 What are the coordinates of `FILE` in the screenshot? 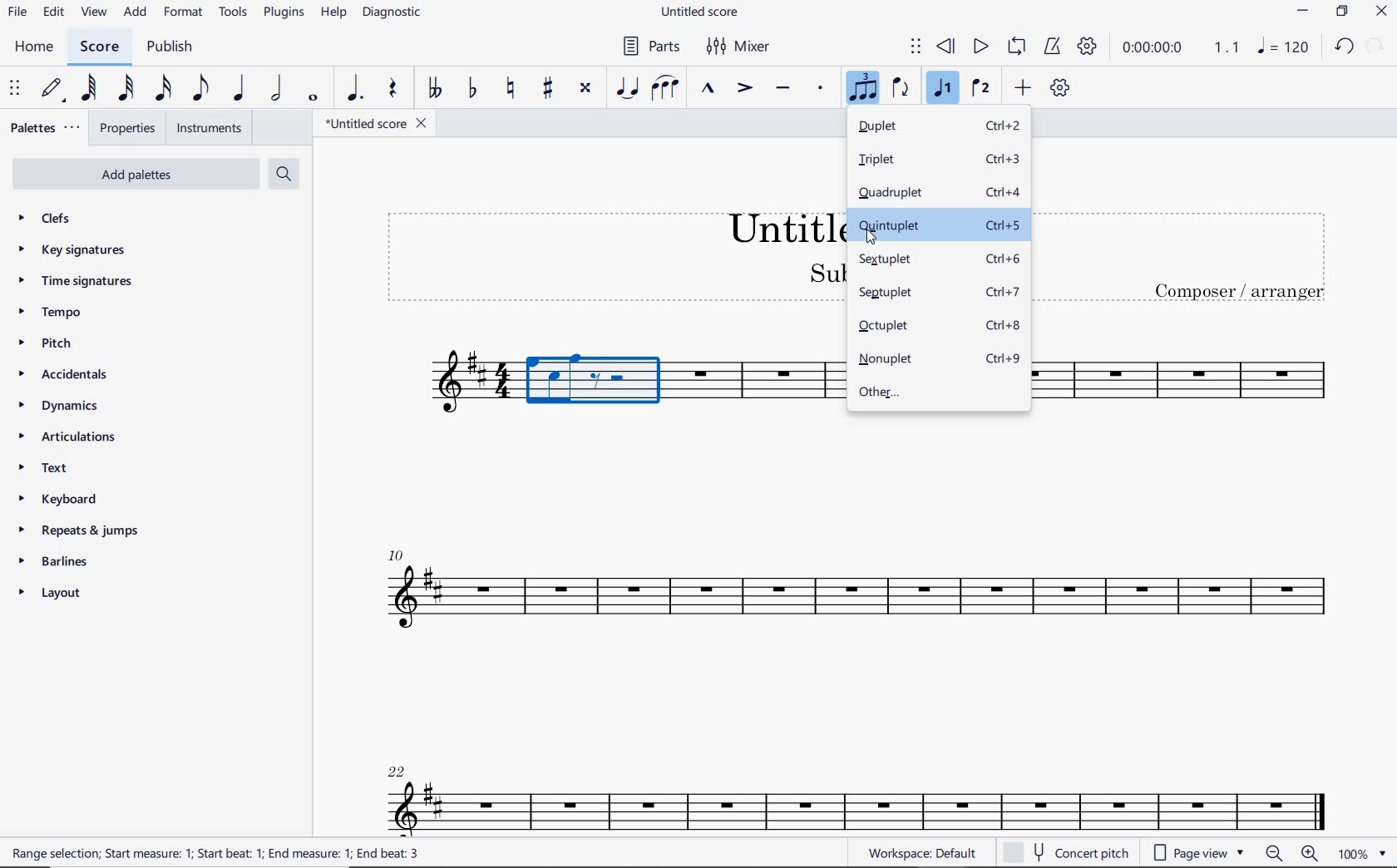 It's located at (16, 12).